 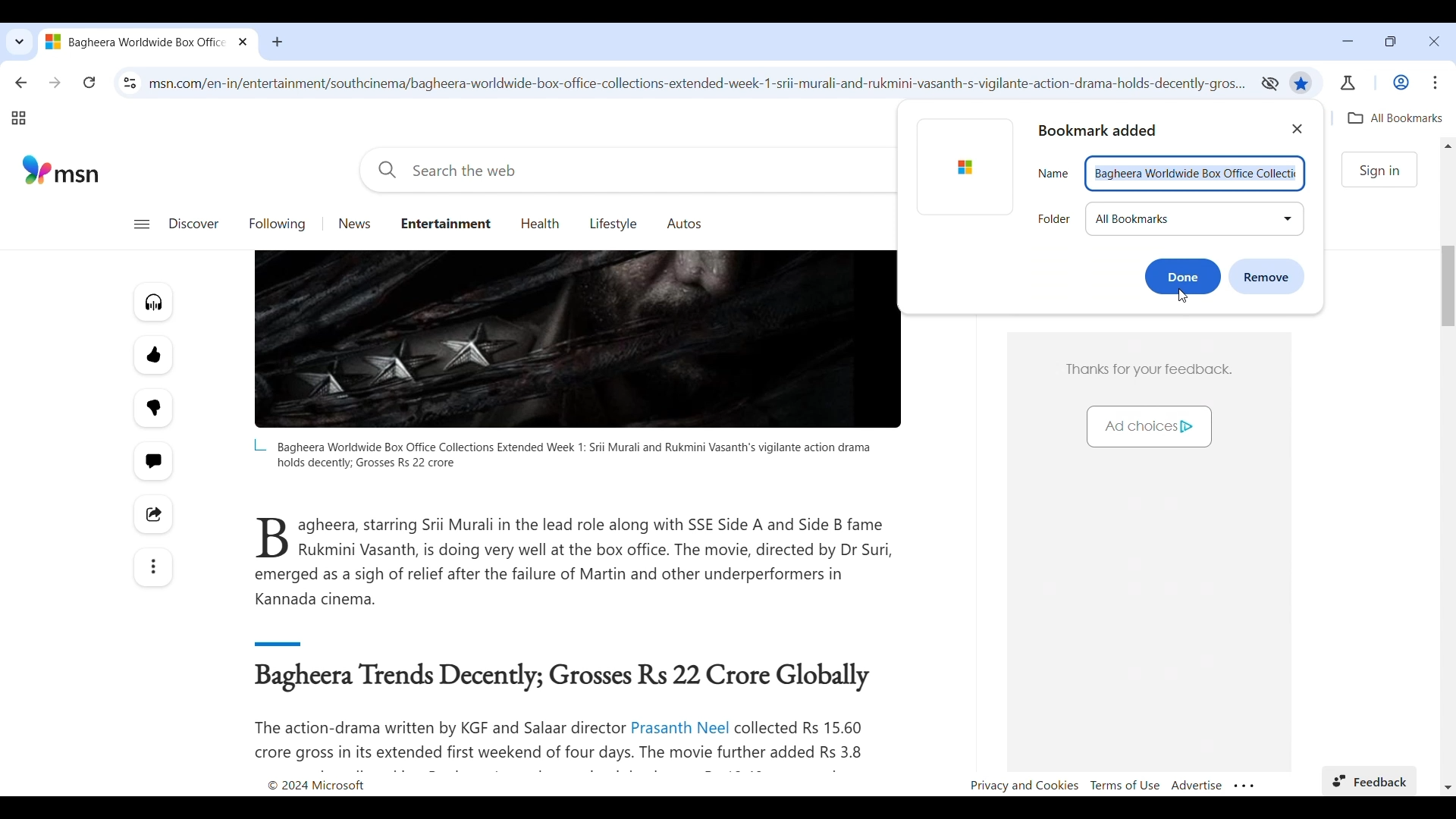 I want to click on Reload page, so click(x=89, y=82).